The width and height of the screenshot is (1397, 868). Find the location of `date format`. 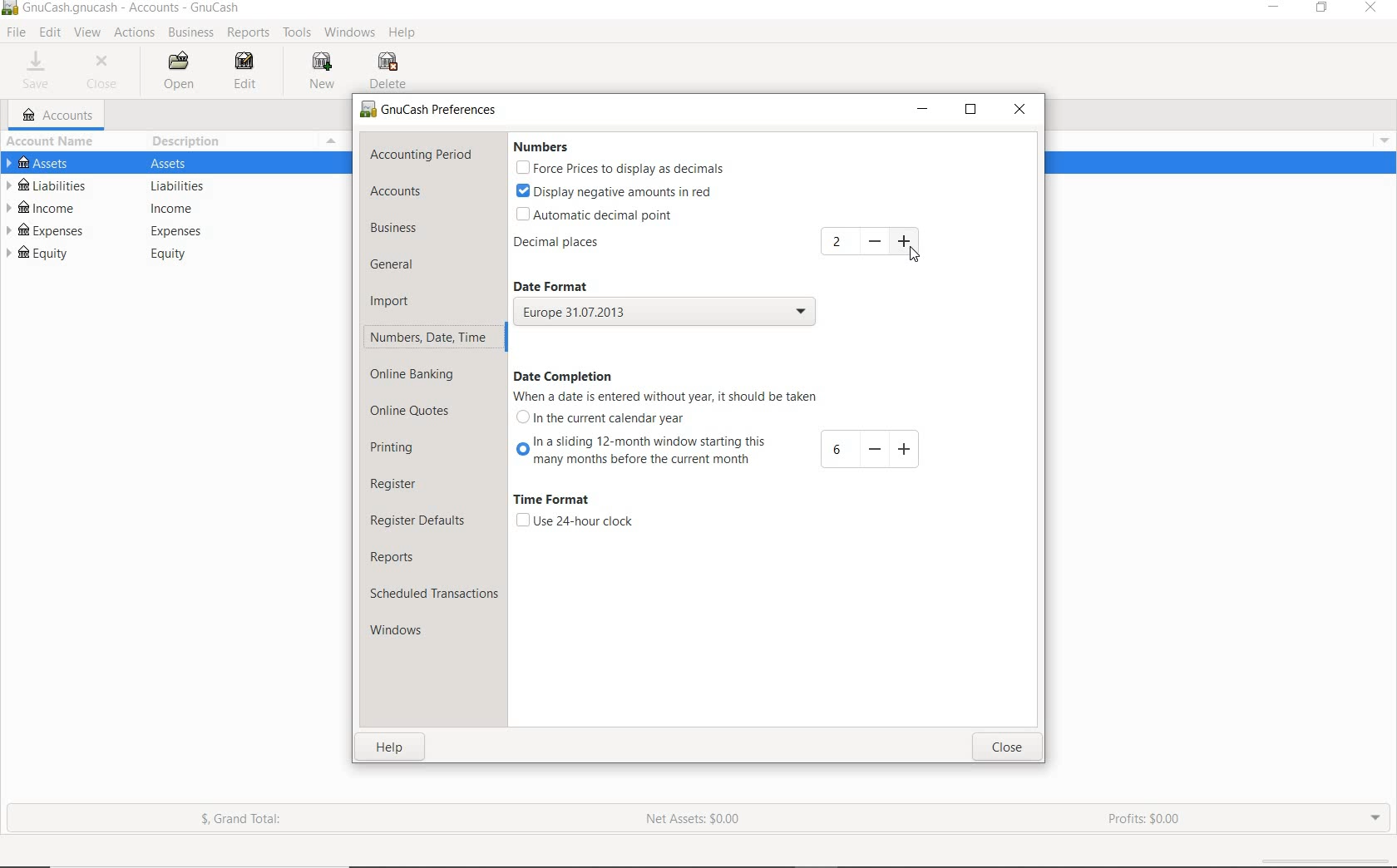

date format is located at coordinates (565, 284).